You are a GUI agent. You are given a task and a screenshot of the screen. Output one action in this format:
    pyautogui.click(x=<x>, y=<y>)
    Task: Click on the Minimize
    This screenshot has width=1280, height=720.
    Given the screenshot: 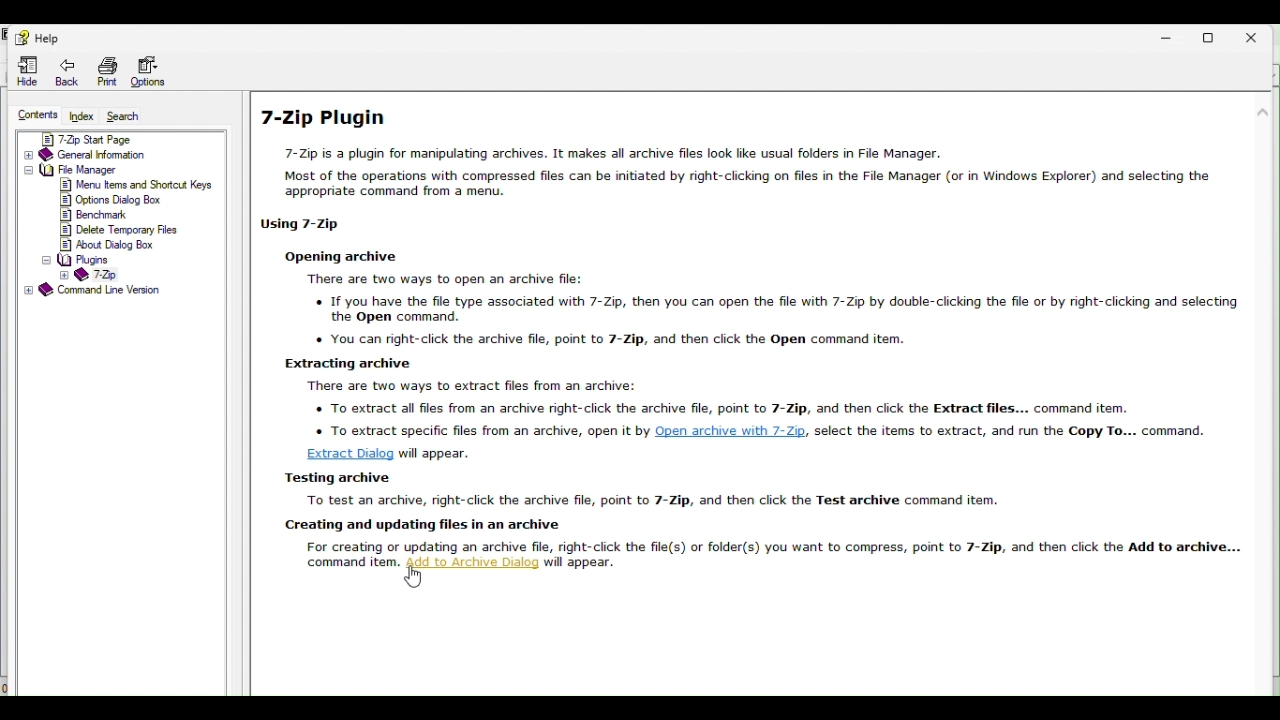 What is the action you would take?
    pyautogui.click(x=1169, y=37)
    